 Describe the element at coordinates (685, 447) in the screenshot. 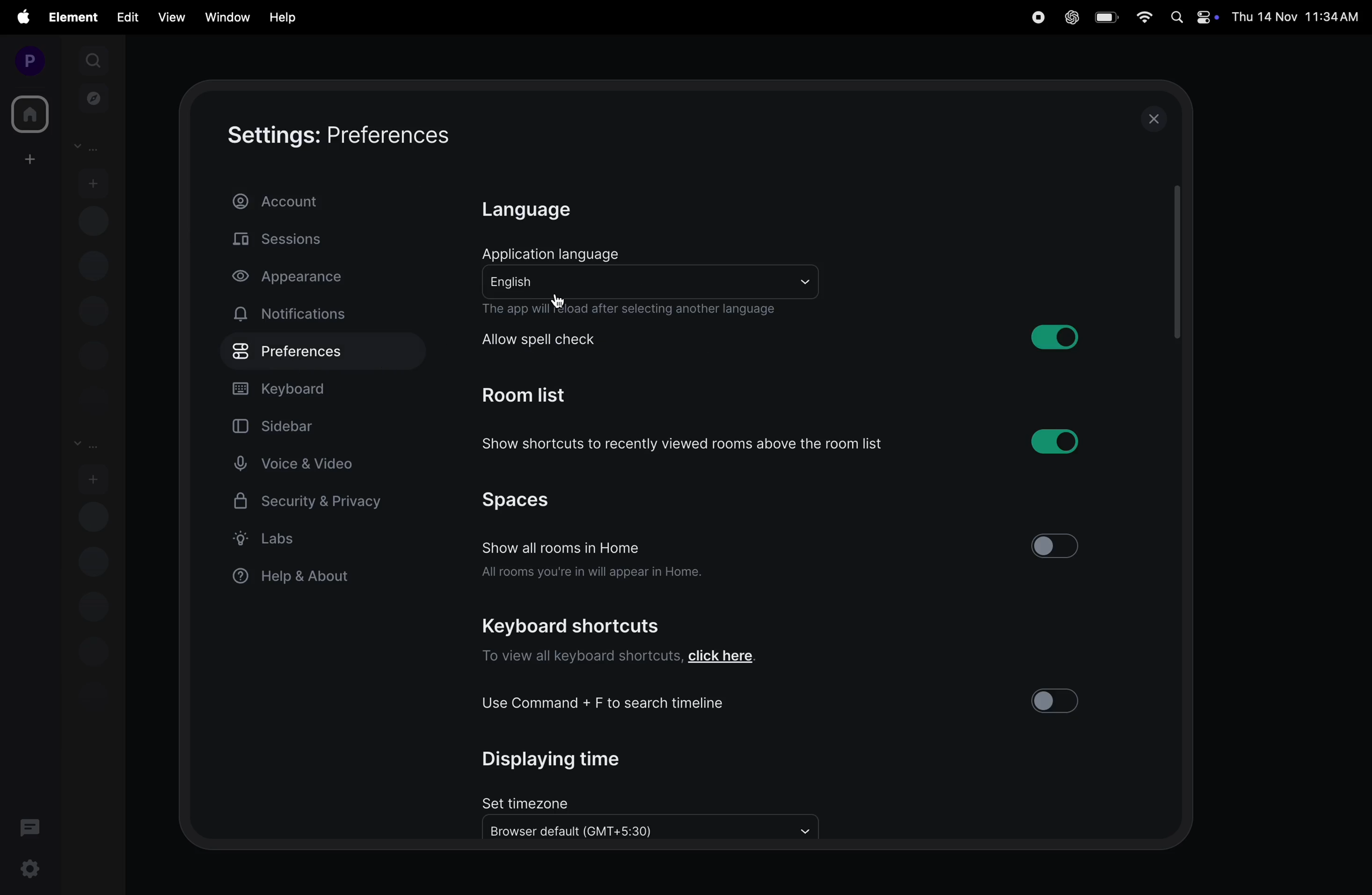

I see `show shortcuts to recently viewd rooms above the room list` at that location.